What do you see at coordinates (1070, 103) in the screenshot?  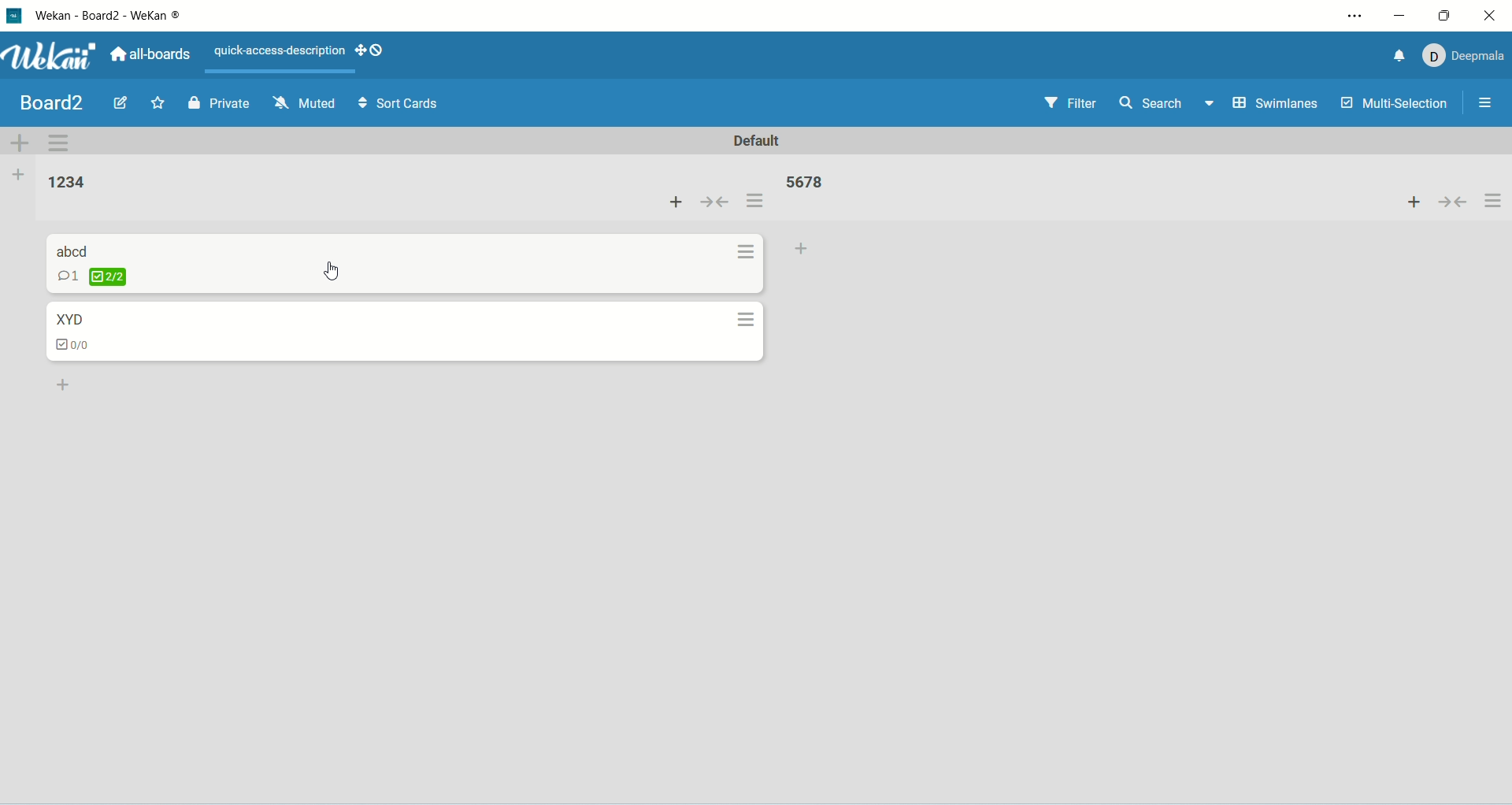 I see `filter` at bounding box center [1070, 103].